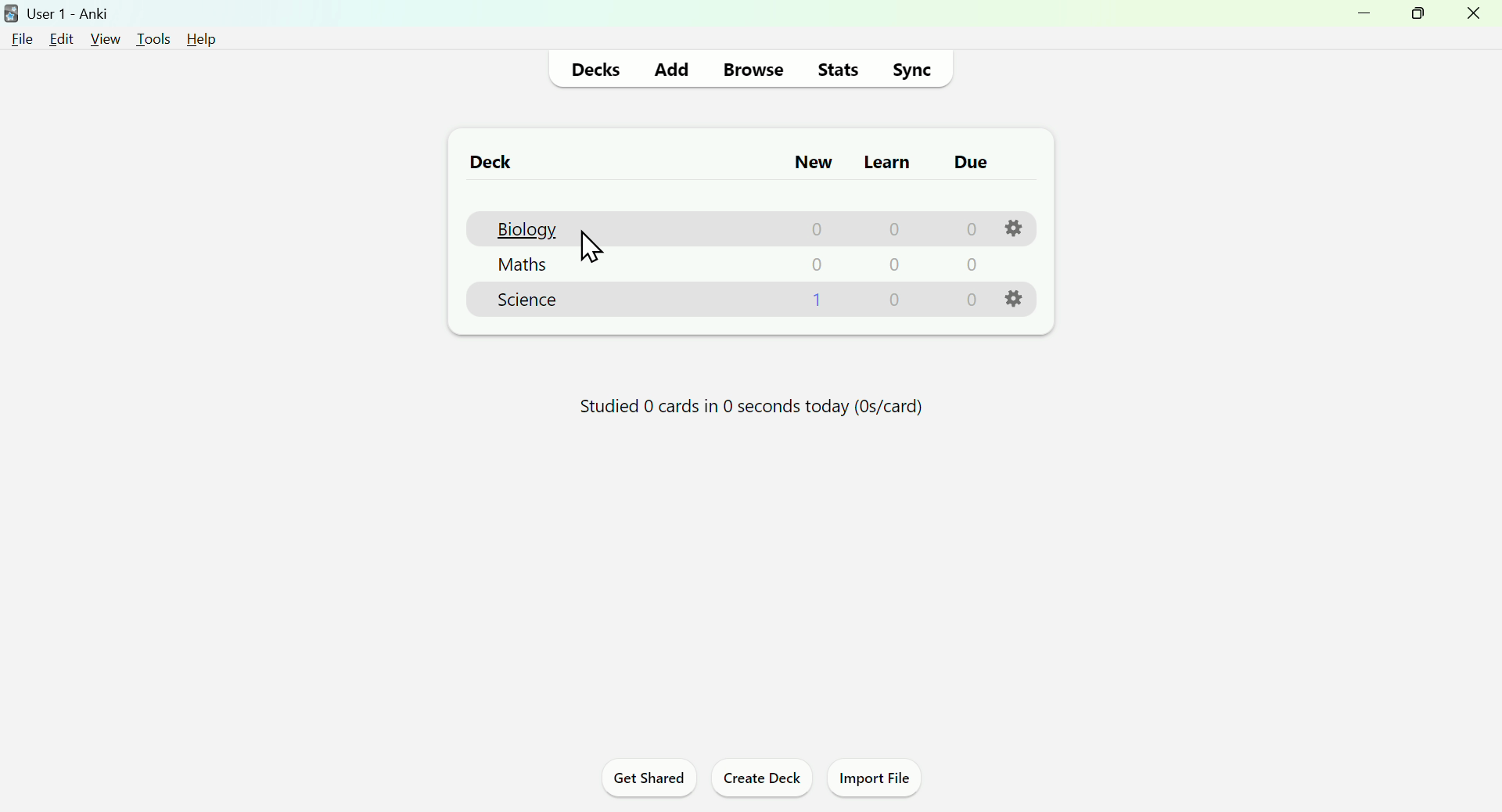 This screenshot has width=1502, height=812. Describe the element at coordinates (650, 780) in the screenshot. I see `Get Shared` at that location.